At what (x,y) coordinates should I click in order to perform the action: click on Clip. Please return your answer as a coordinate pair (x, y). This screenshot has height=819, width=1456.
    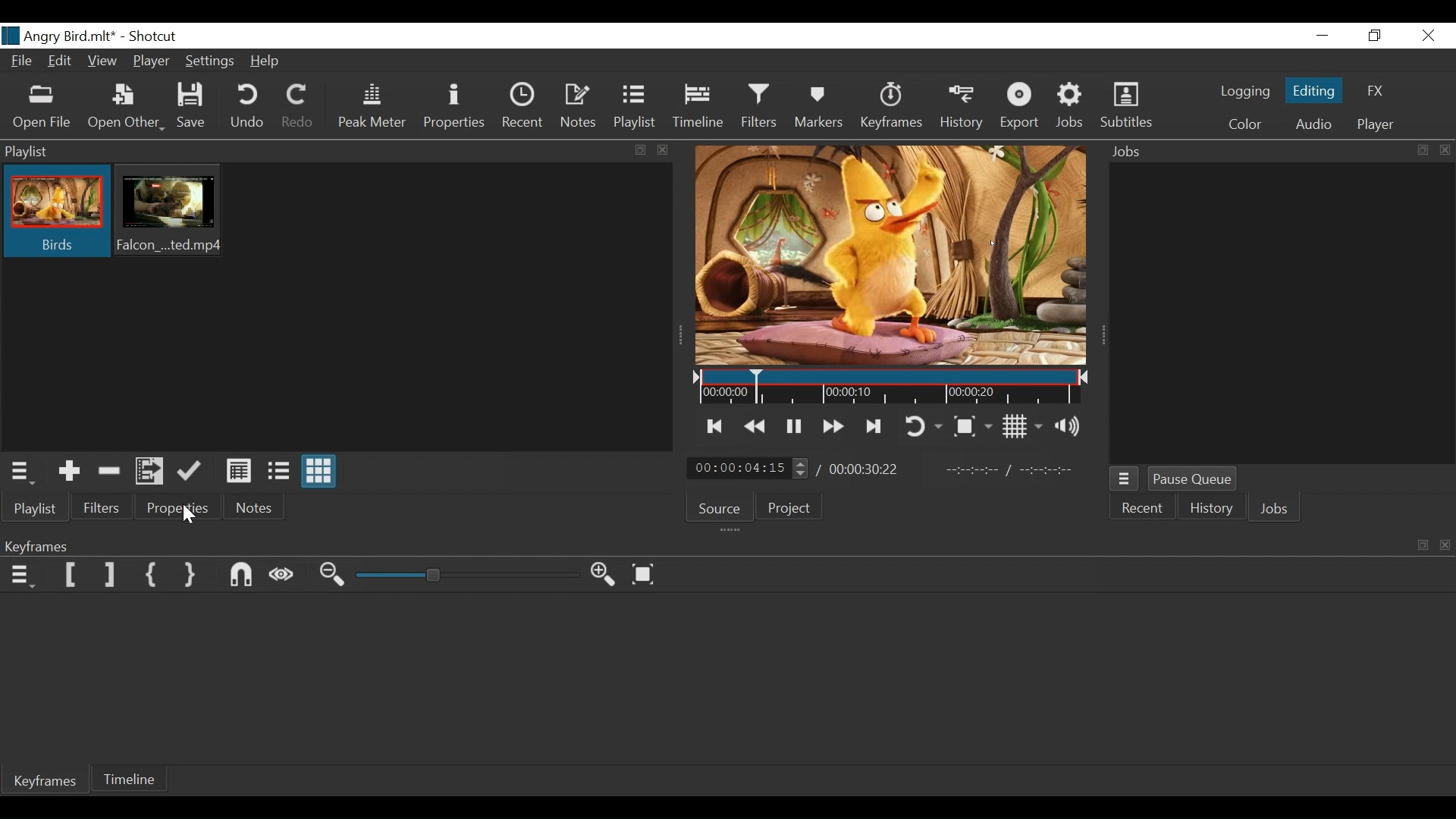
    Looking at the image, I should click on (55, 212).